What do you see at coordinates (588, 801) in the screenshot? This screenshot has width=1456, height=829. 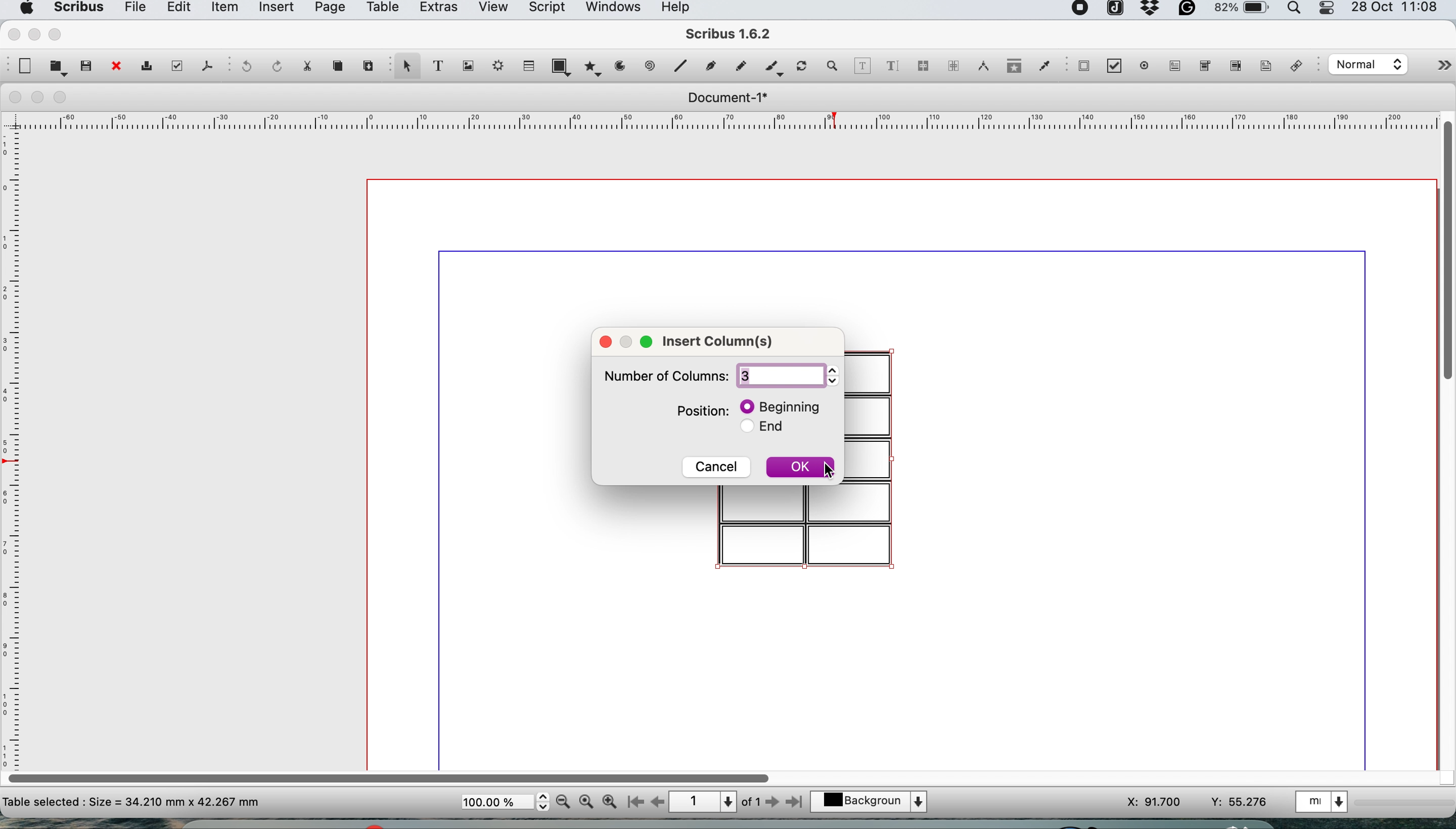 I see `zoom 100%` at bounding box center [588, 801].